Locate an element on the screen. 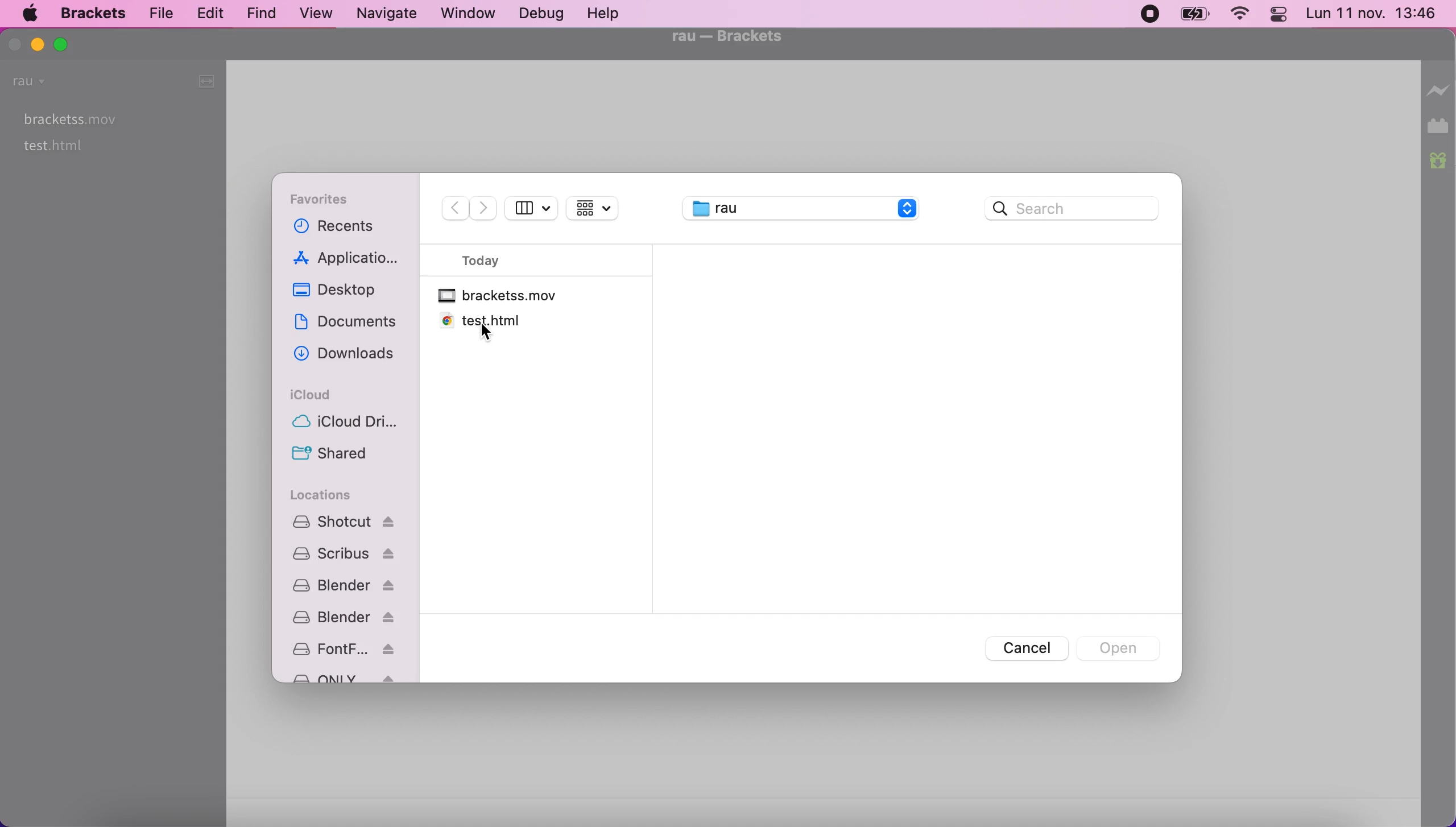  folders is located at coordinates (803, 210).